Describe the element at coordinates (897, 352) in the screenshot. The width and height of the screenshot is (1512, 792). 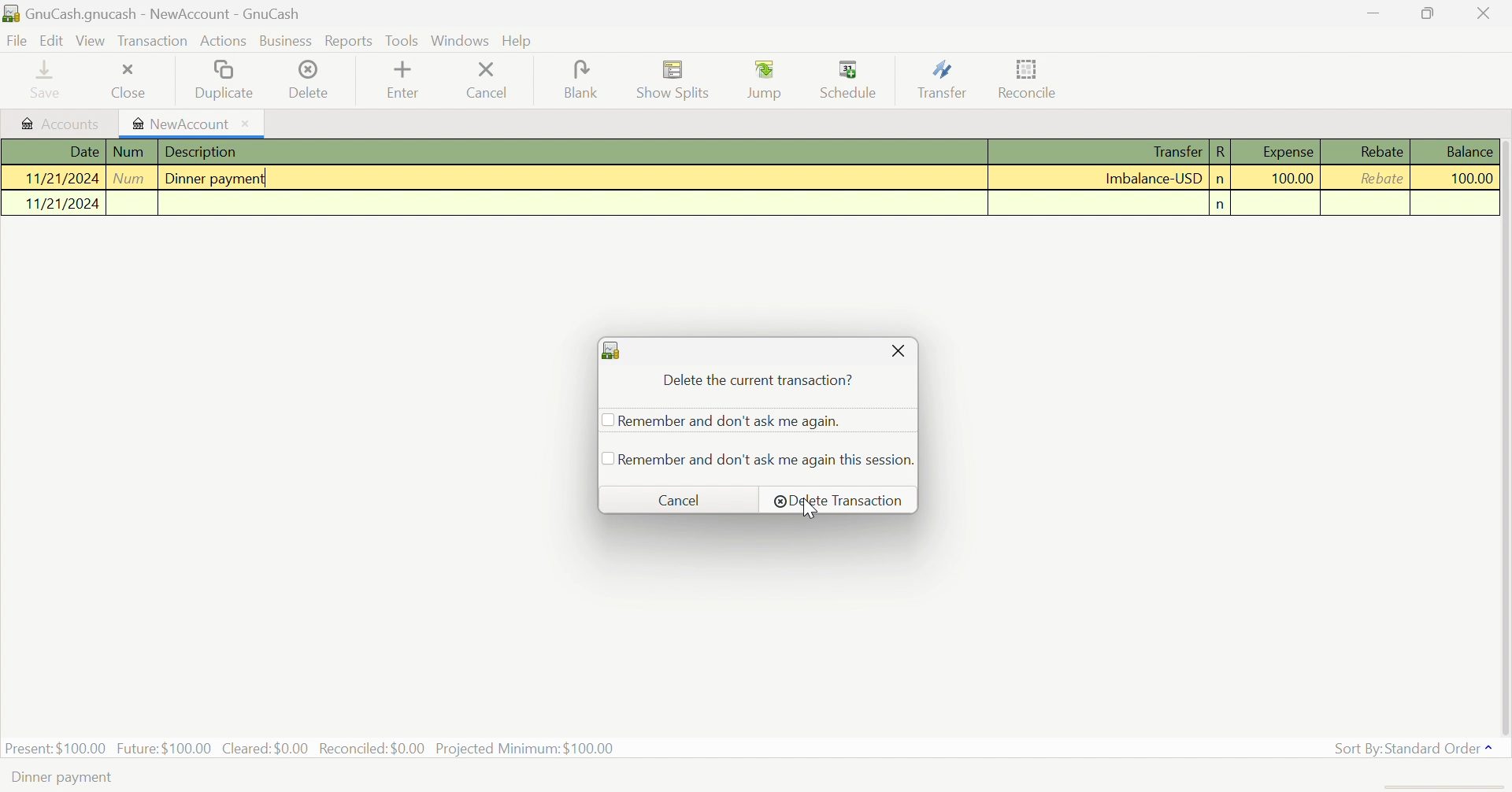
I see `Close` at that location.